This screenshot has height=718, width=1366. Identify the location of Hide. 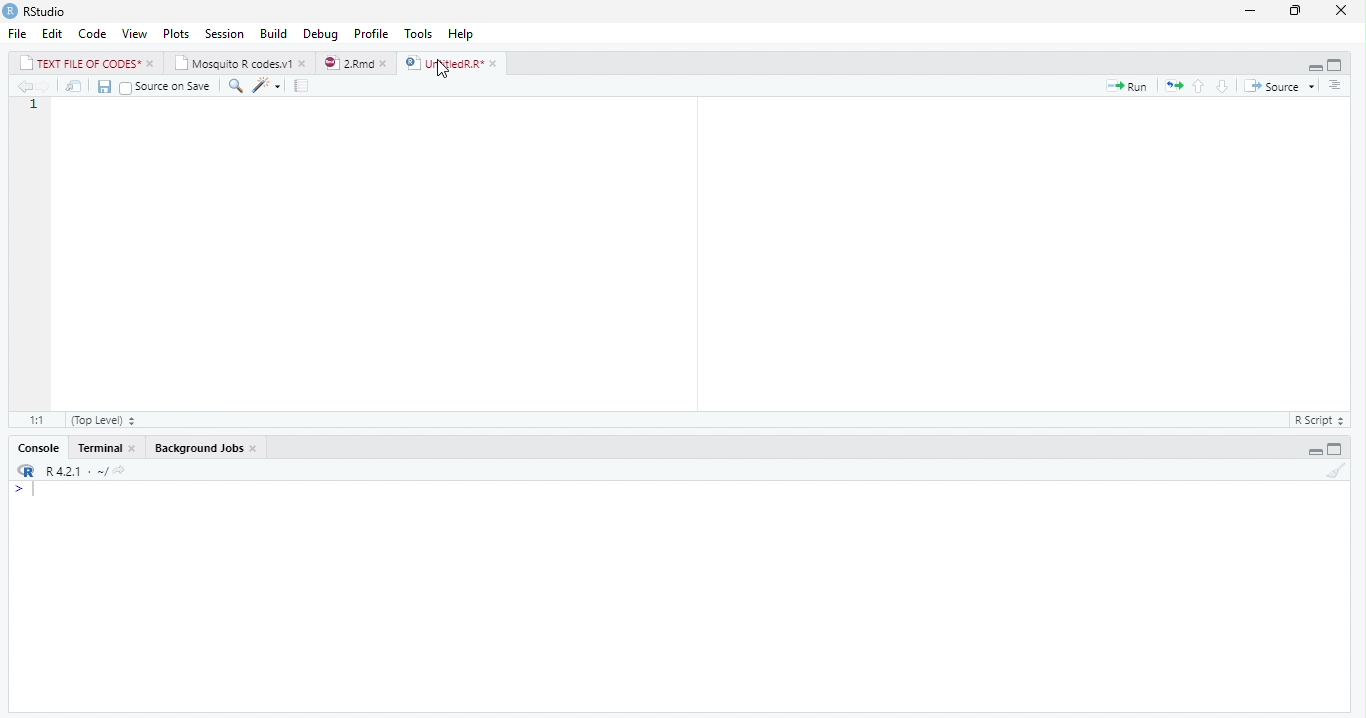
(1313, 449).